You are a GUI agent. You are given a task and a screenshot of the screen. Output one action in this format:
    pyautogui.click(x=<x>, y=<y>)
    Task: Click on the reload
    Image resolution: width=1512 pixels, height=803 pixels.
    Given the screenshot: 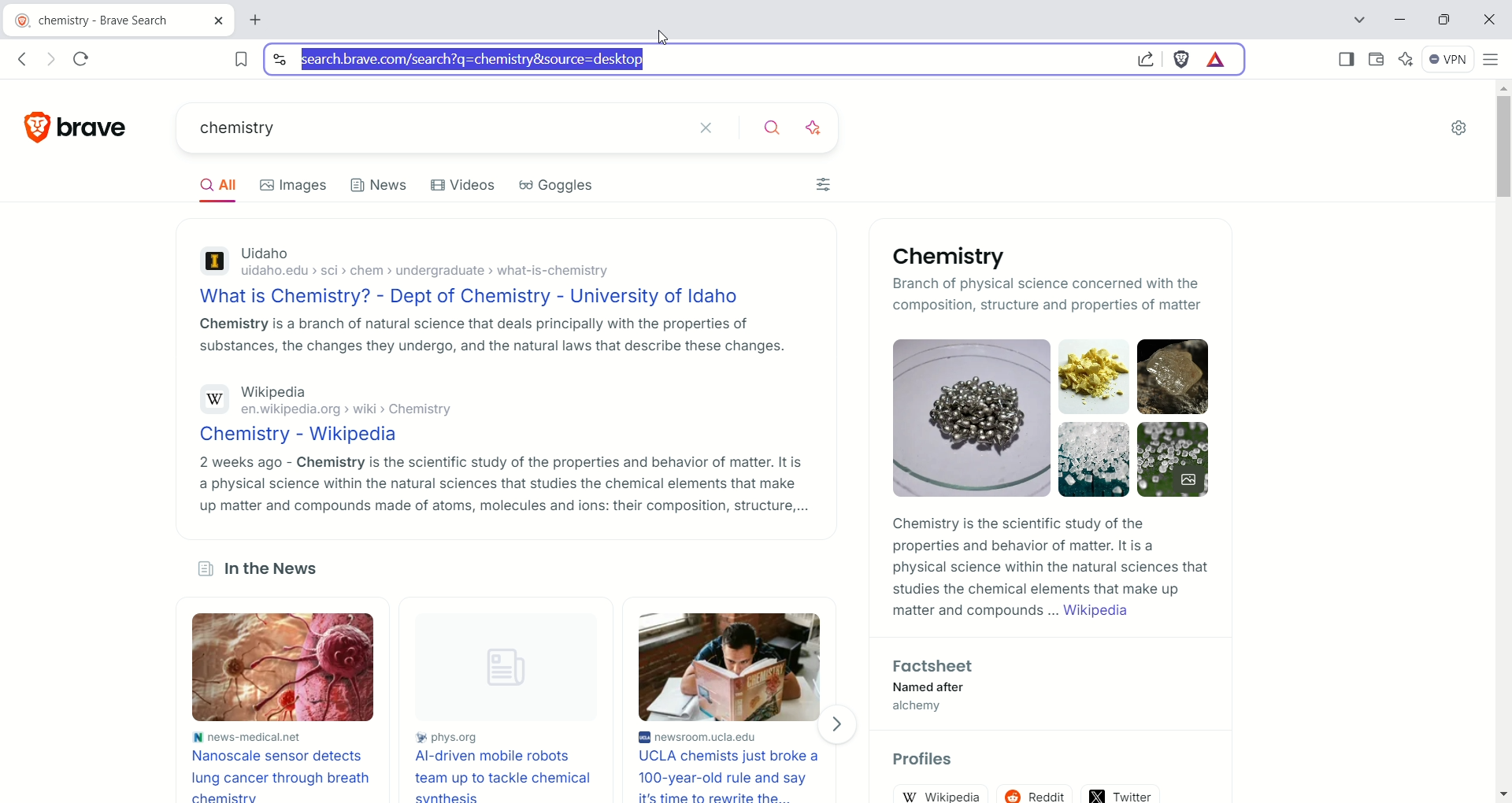 What is the action you would take?
    pyautogui.click(x=82, y=61)
    